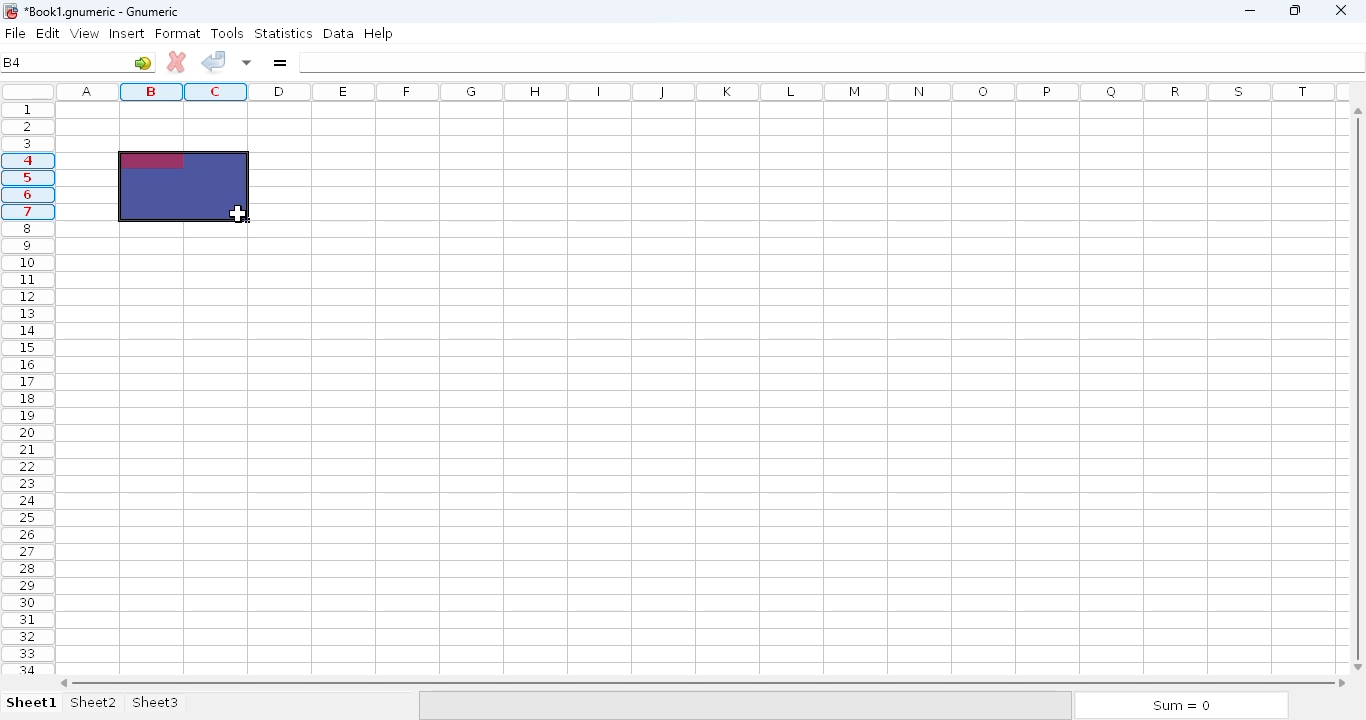  What do you see at coordinates (31, 702) in the screenshot?
I see `sheet 1` at bounding box center [31, 702].